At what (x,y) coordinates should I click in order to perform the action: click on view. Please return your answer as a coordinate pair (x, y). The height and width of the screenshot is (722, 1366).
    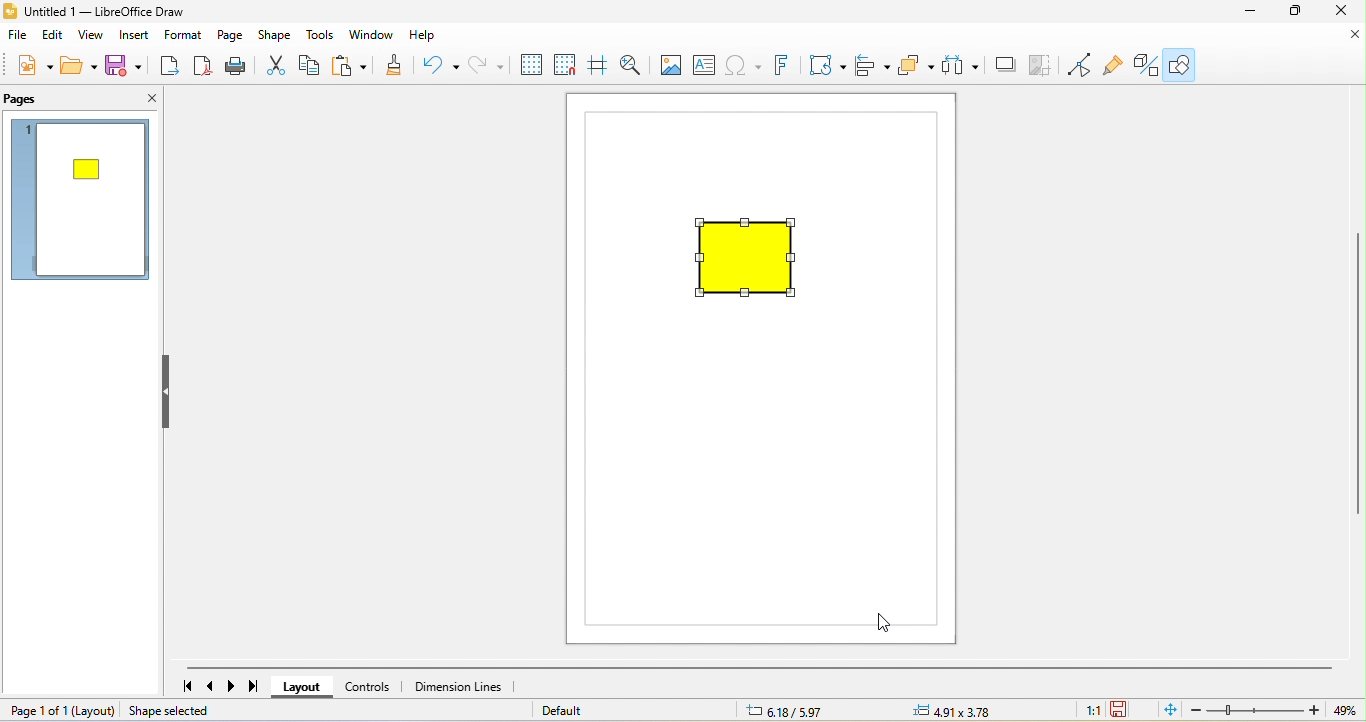
    Looking at the image, I should click on (89, 37).